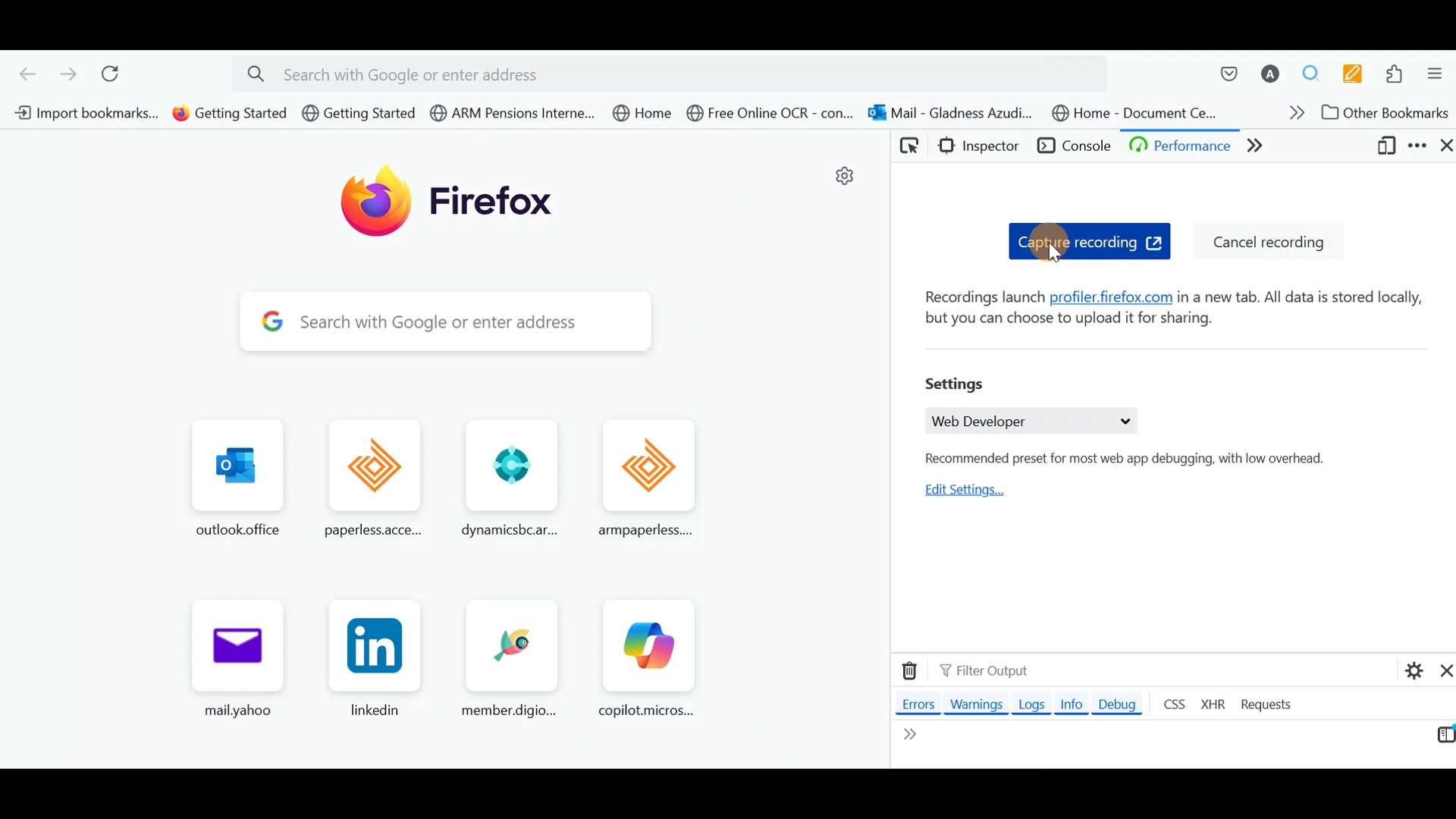 The height and width of the screenshot is (819, 1456). Describe the element at coordinates (1185, 309) in the screenshot. I see `Recordings launch profiler firefox.com in a new tab. All data is stored locally,
but you can choose to upload it for sharing.` at that location.